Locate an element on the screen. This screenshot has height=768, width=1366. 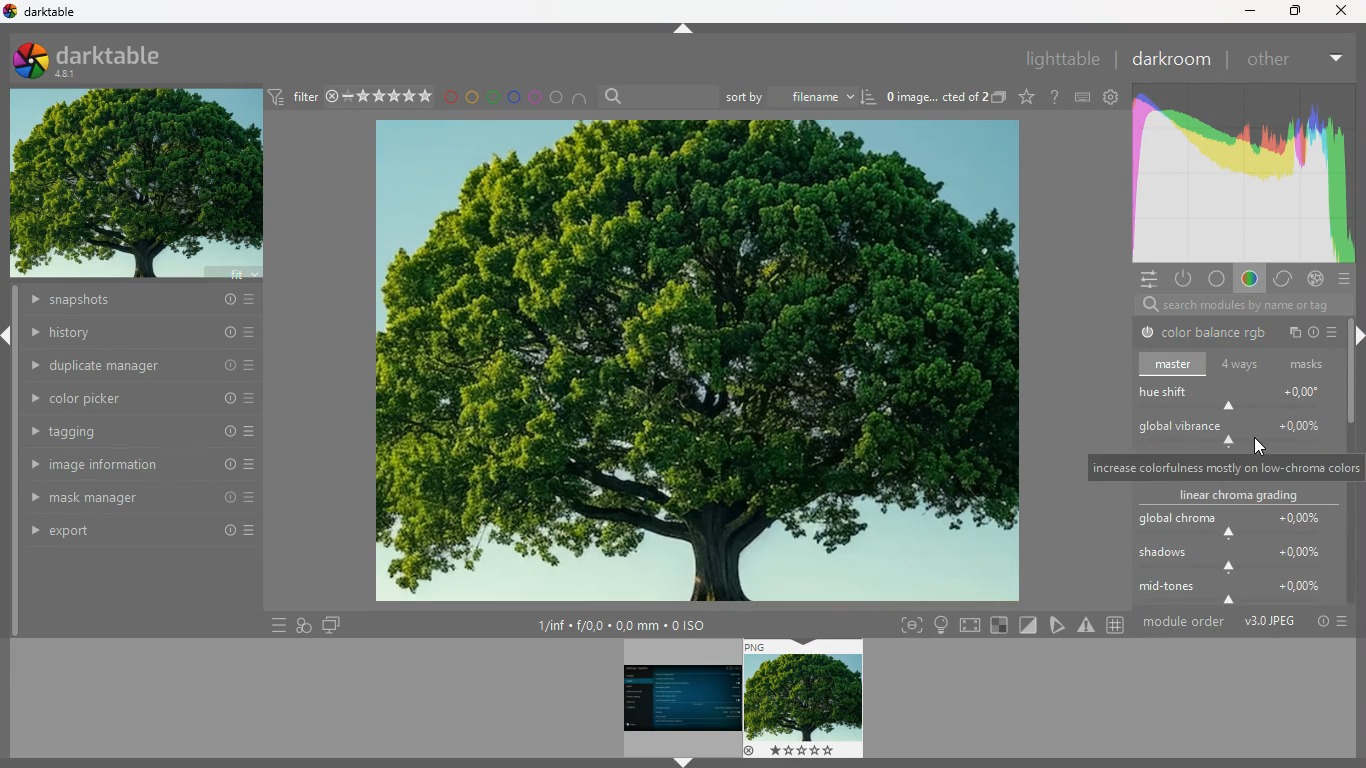
duplicate manager is located at coordinates (143, 364).